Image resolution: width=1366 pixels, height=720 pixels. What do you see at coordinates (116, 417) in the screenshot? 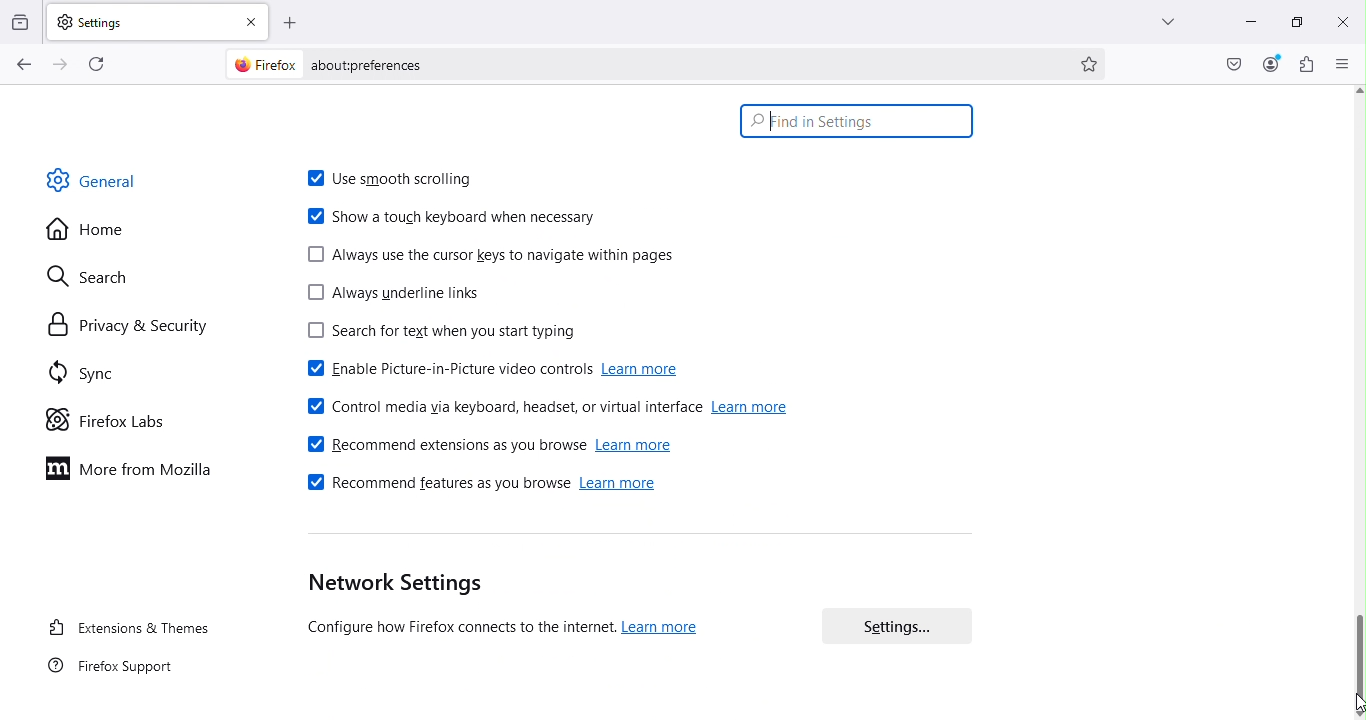
I see `Firefox labs` at bounding box center [116, 417].